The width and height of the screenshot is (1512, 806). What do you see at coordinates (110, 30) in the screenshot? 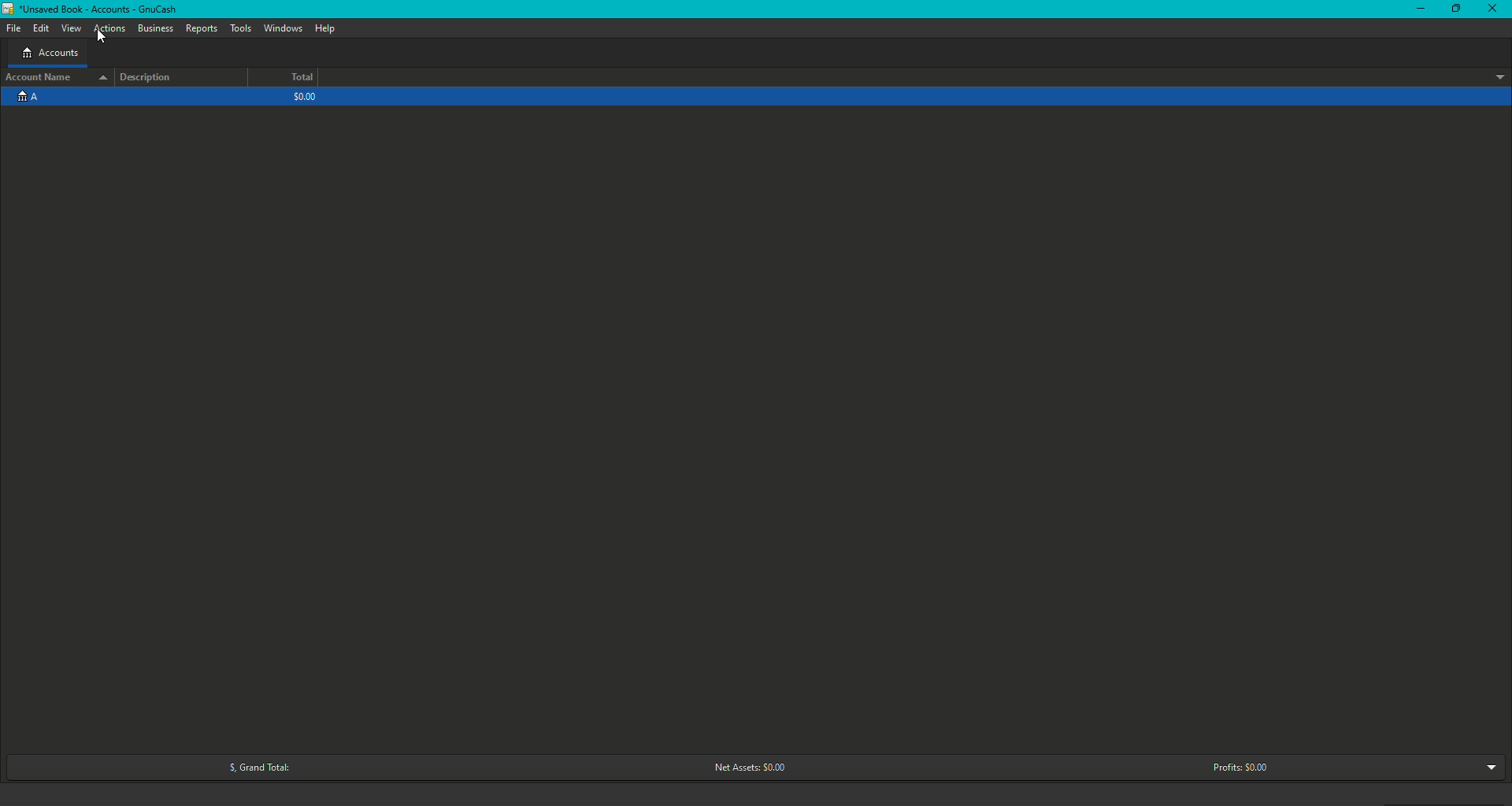
I see `Actions` at bounding box center [110, 30].